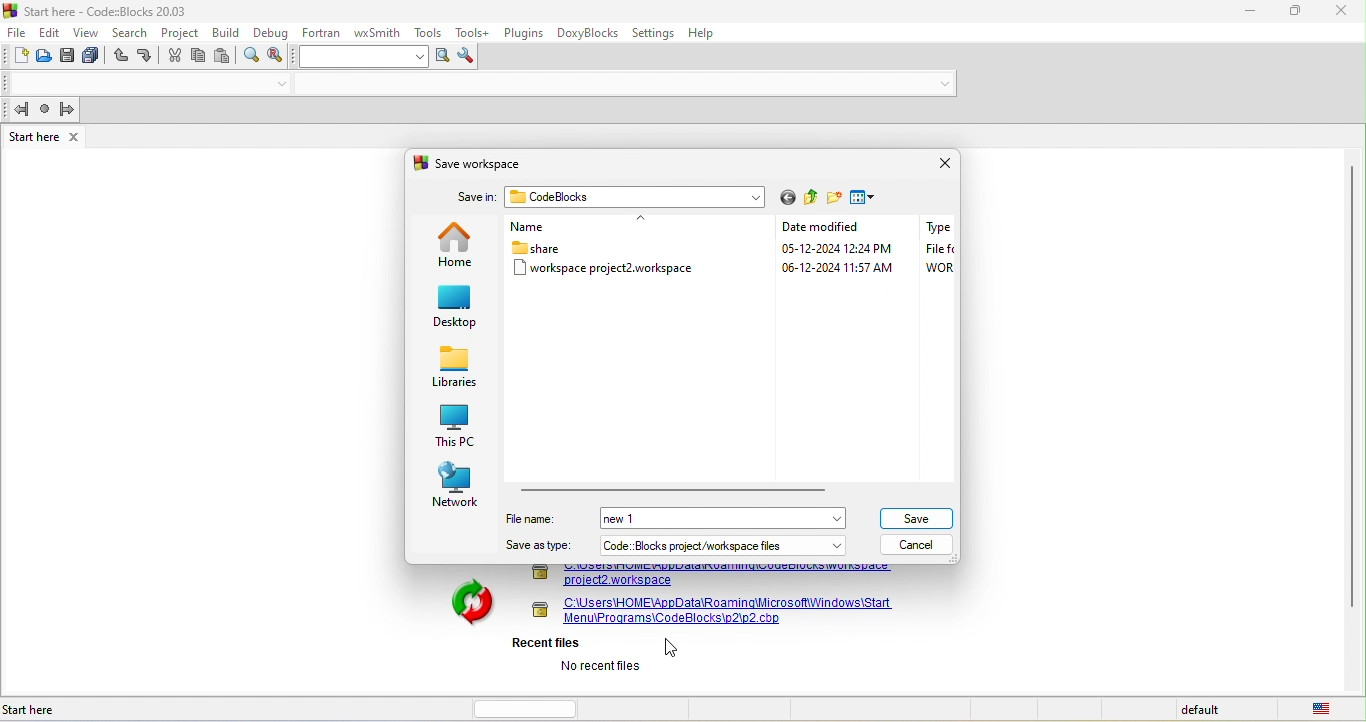 Image resolution: width=1366 pixels, height=722 pixels. What do you see at coordinates (430, 32) in the screenshot?
I see `tools` at bounding box center [430, 32].